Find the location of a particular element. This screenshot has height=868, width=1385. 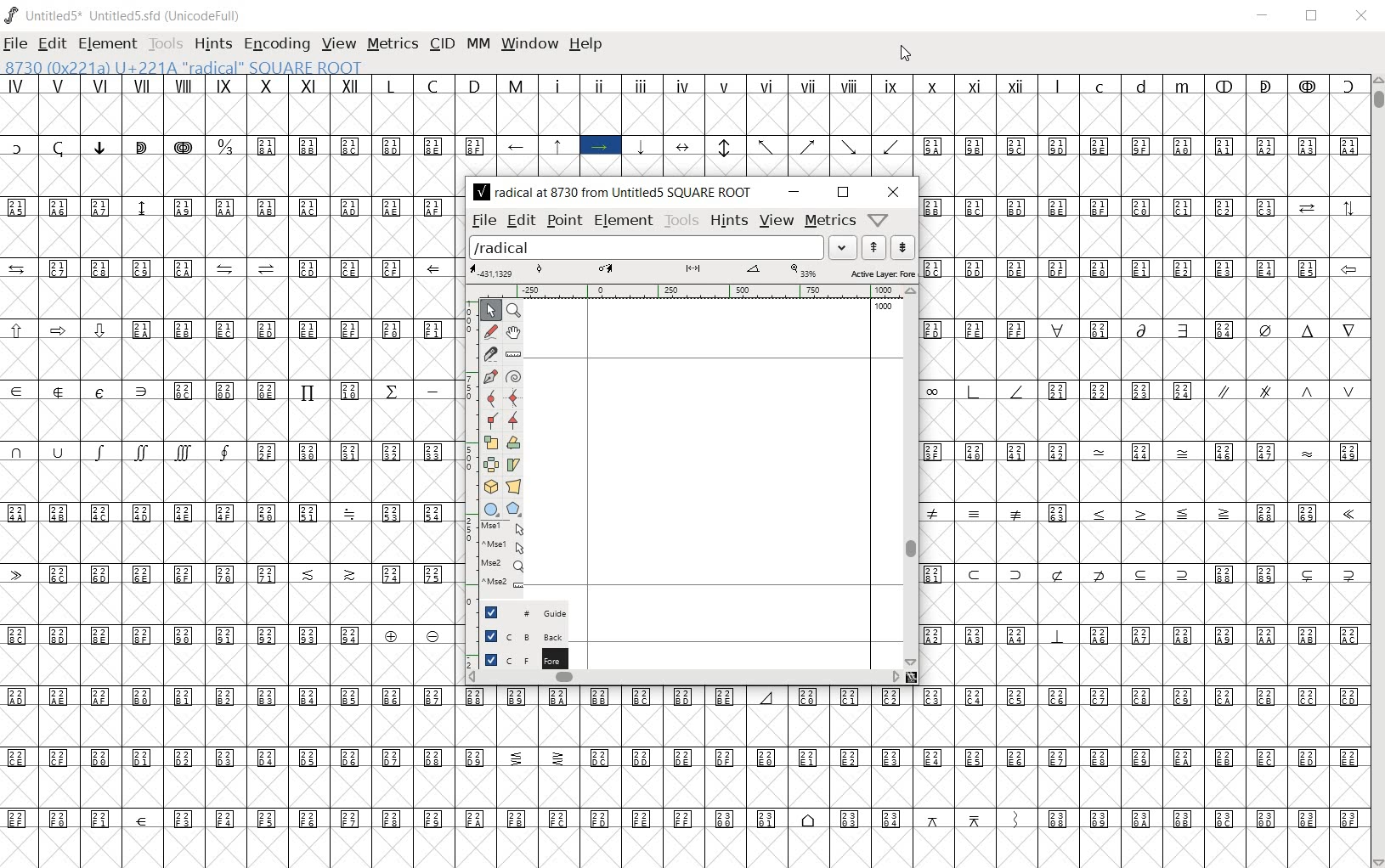

add a curve point always either horizontal or vertical is located at coordinates (491, 397).